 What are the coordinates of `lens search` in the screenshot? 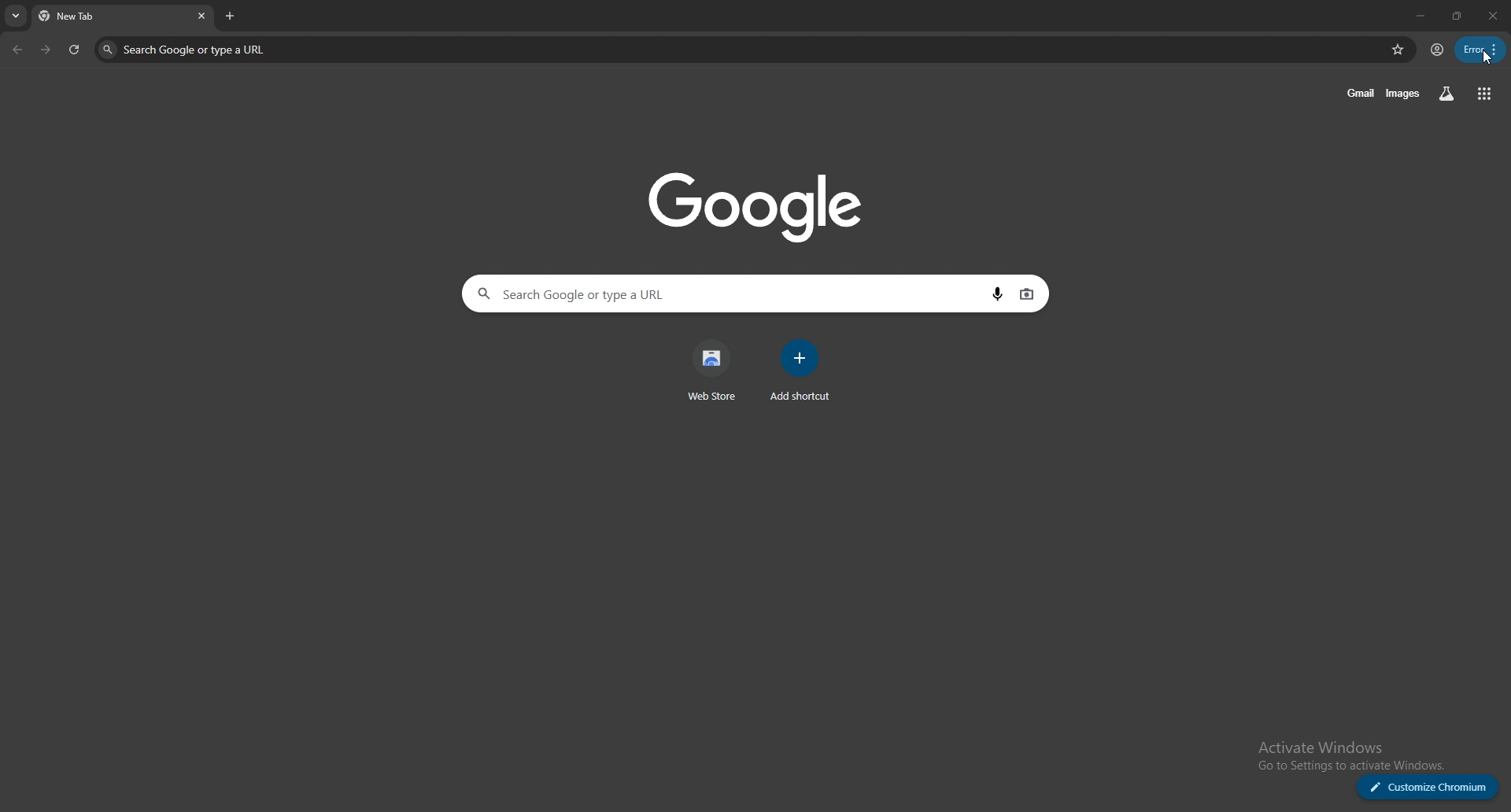 It's located at (1027, 293).